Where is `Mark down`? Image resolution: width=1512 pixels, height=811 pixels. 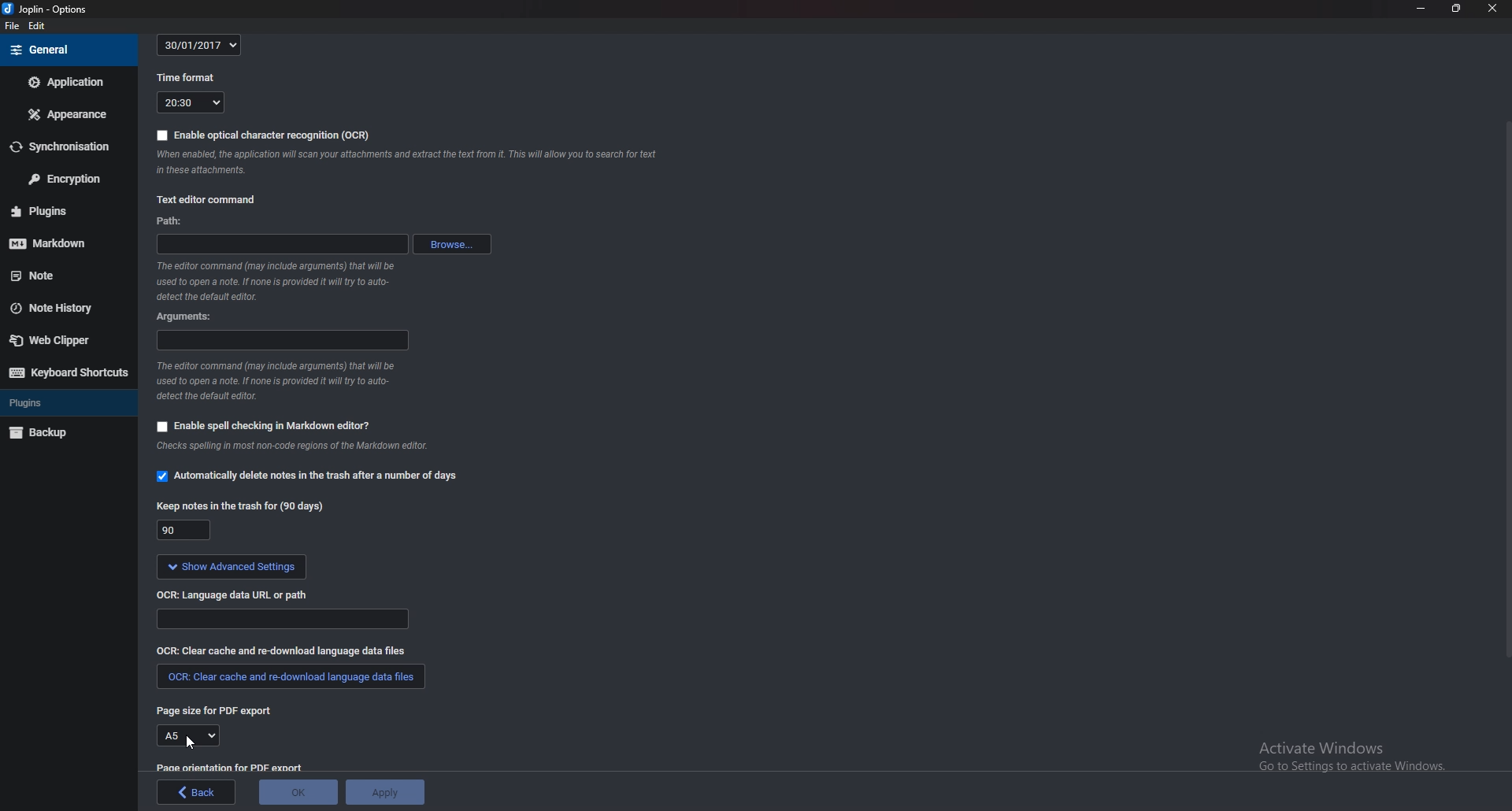
Mark down is located at coordinates (59, 243).